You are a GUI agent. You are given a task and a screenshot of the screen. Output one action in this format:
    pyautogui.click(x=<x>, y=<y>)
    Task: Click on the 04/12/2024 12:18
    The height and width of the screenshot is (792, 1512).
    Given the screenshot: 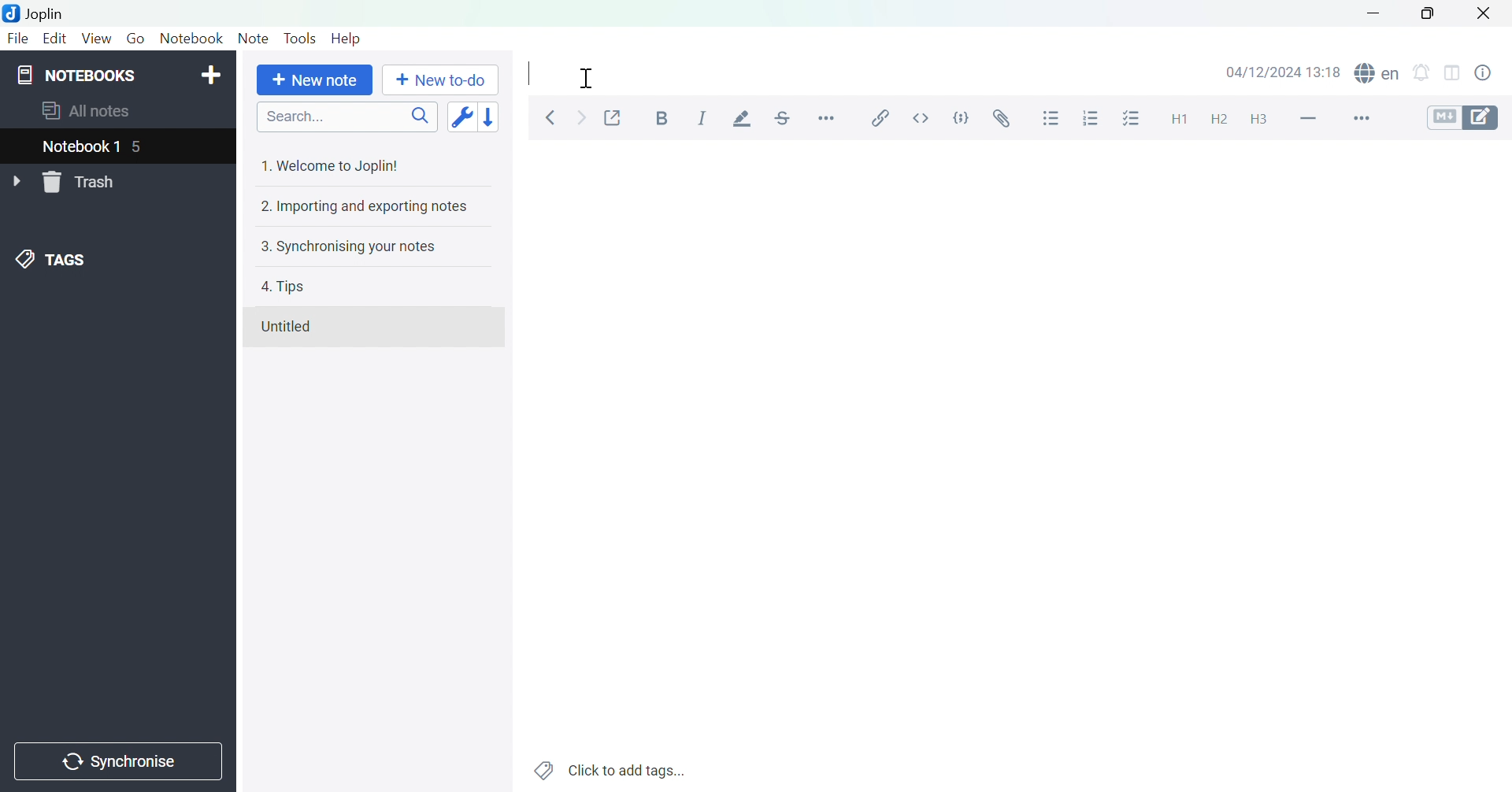 What is the action you would take?
    pyautogui.click(x=1284, y=72)
    